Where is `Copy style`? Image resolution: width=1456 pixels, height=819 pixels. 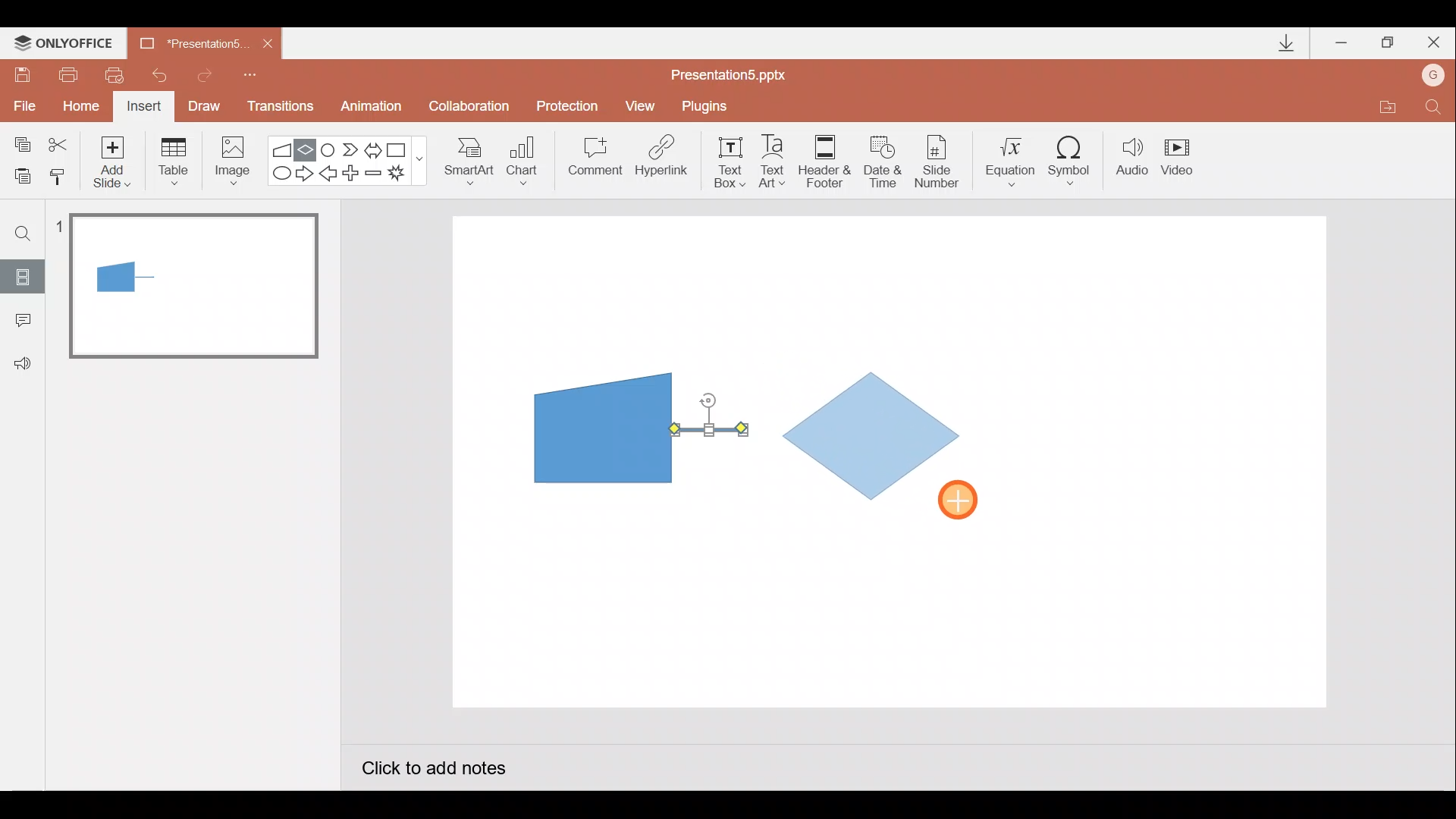 Copy style is located at coordinates (59, 174).